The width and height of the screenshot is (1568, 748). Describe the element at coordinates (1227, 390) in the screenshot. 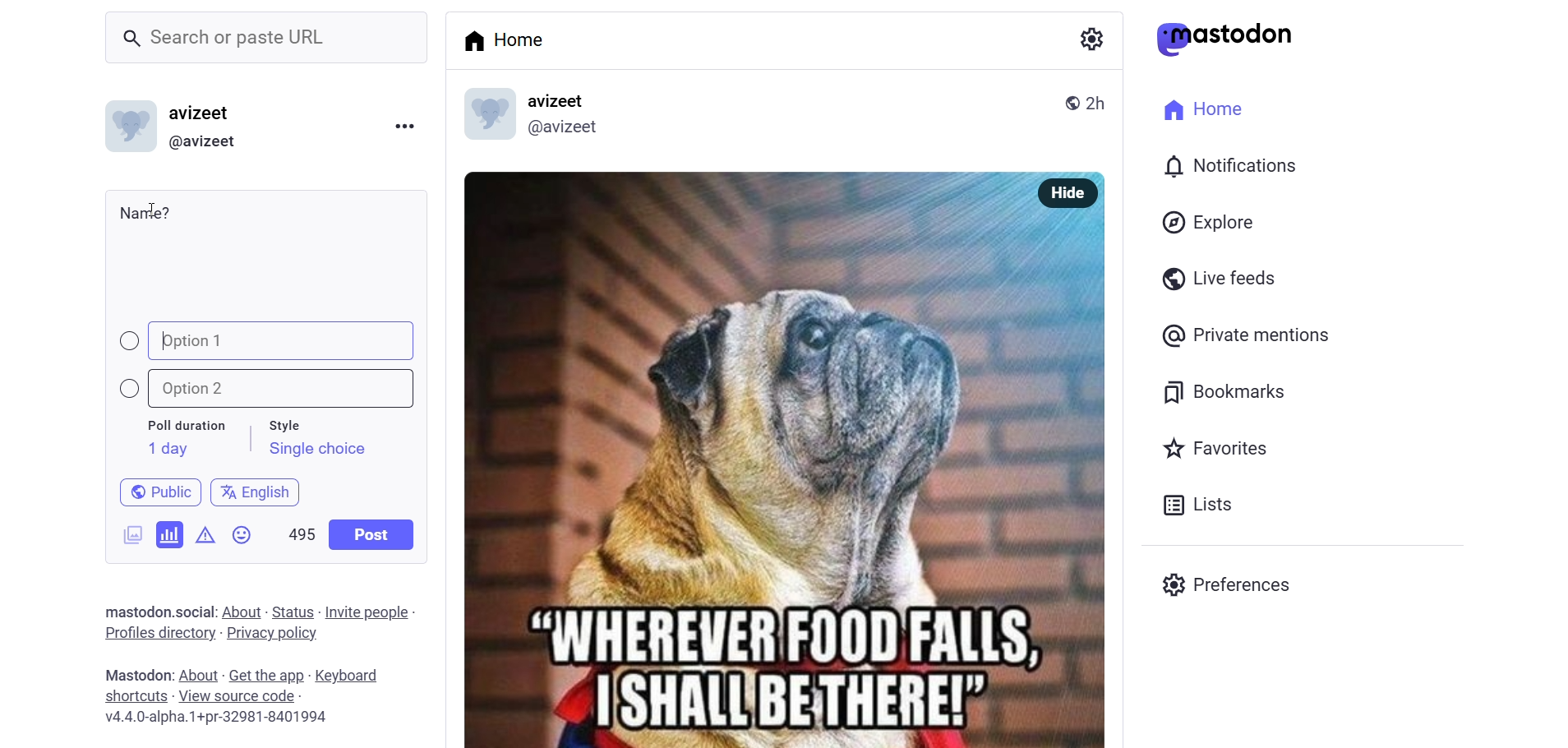

I see `bookmark` at that location.